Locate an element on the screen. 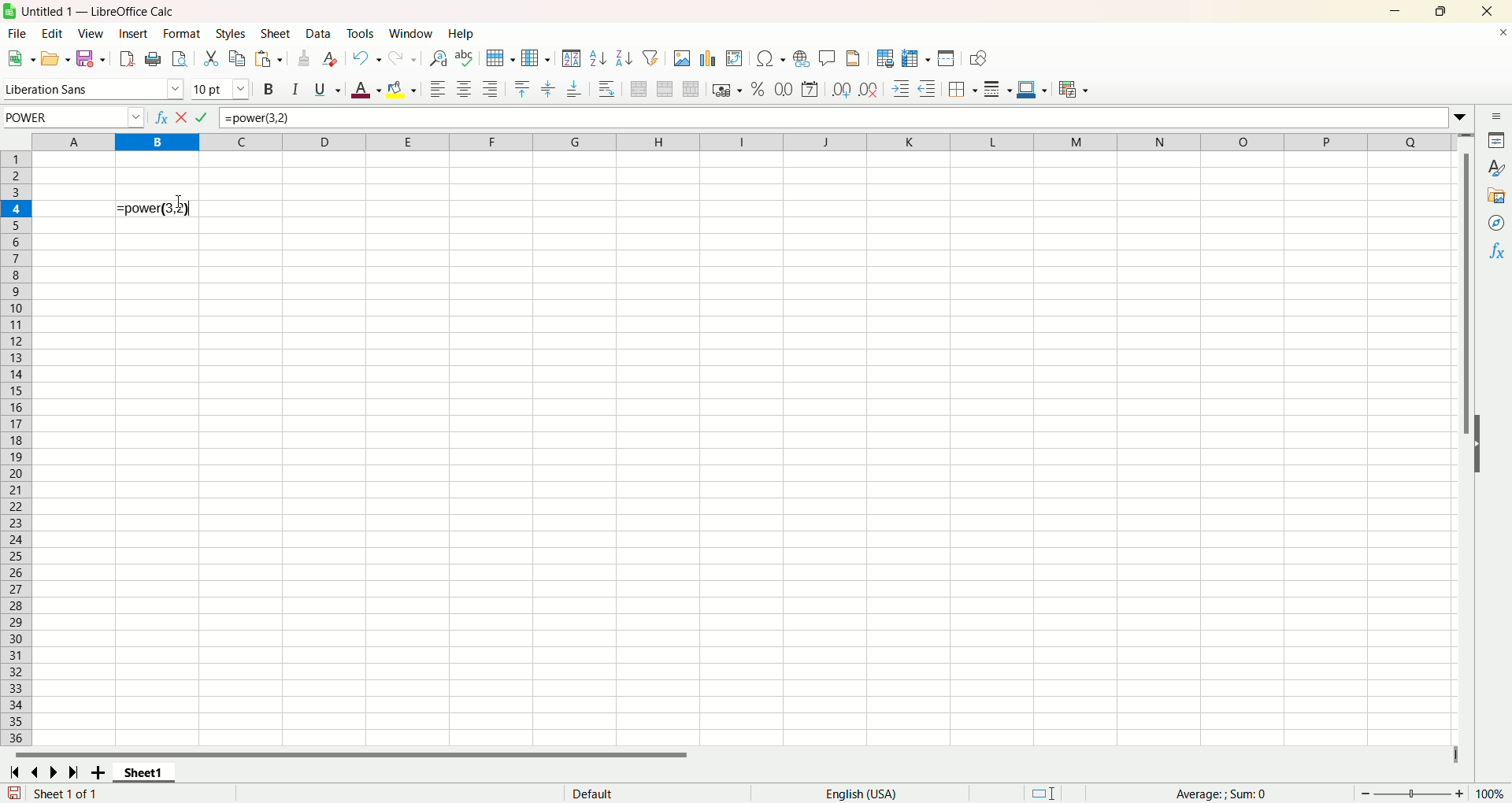  navigator is located at coordinates (1497, 223).